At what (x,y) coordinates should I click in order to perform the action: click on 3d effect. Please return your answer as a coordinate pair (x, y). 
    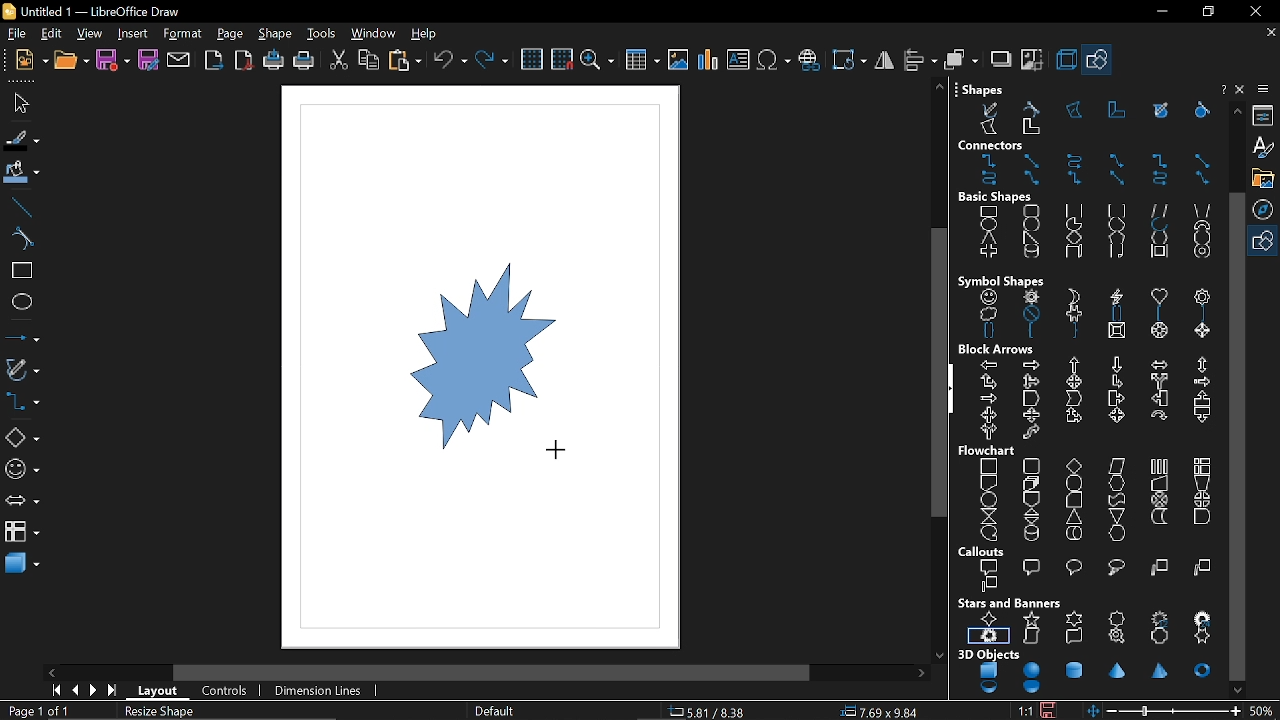
    Looking at the image, I should click on (1065, 60).